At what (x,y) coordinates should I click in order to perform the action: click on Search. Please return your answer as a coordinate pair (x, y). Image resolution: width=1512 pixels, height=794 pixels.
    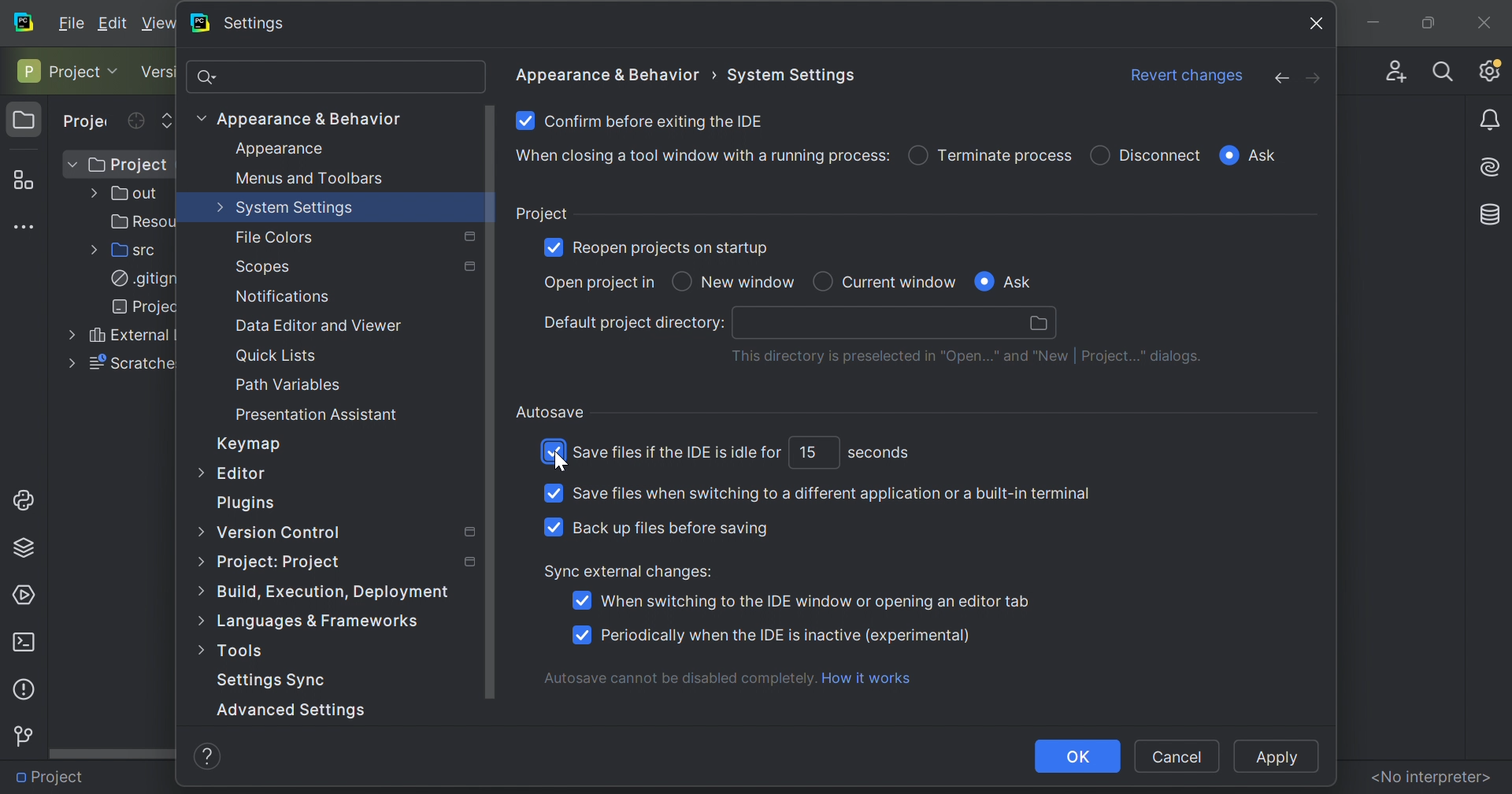
    Looking at the image, I should click on (334, 76).